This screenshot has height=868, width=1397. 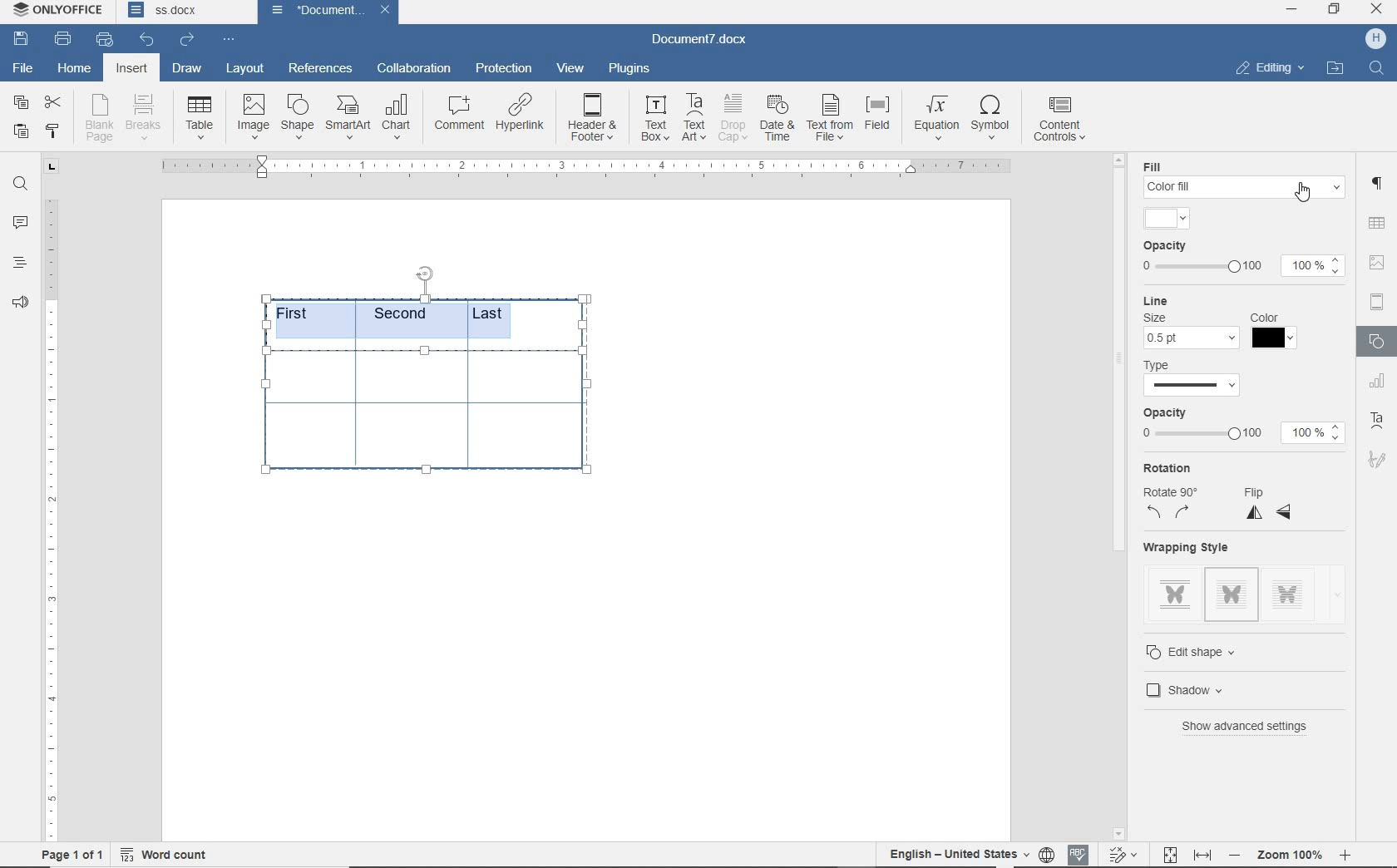 I want to click on collaboration, so click(x=416, y=69).